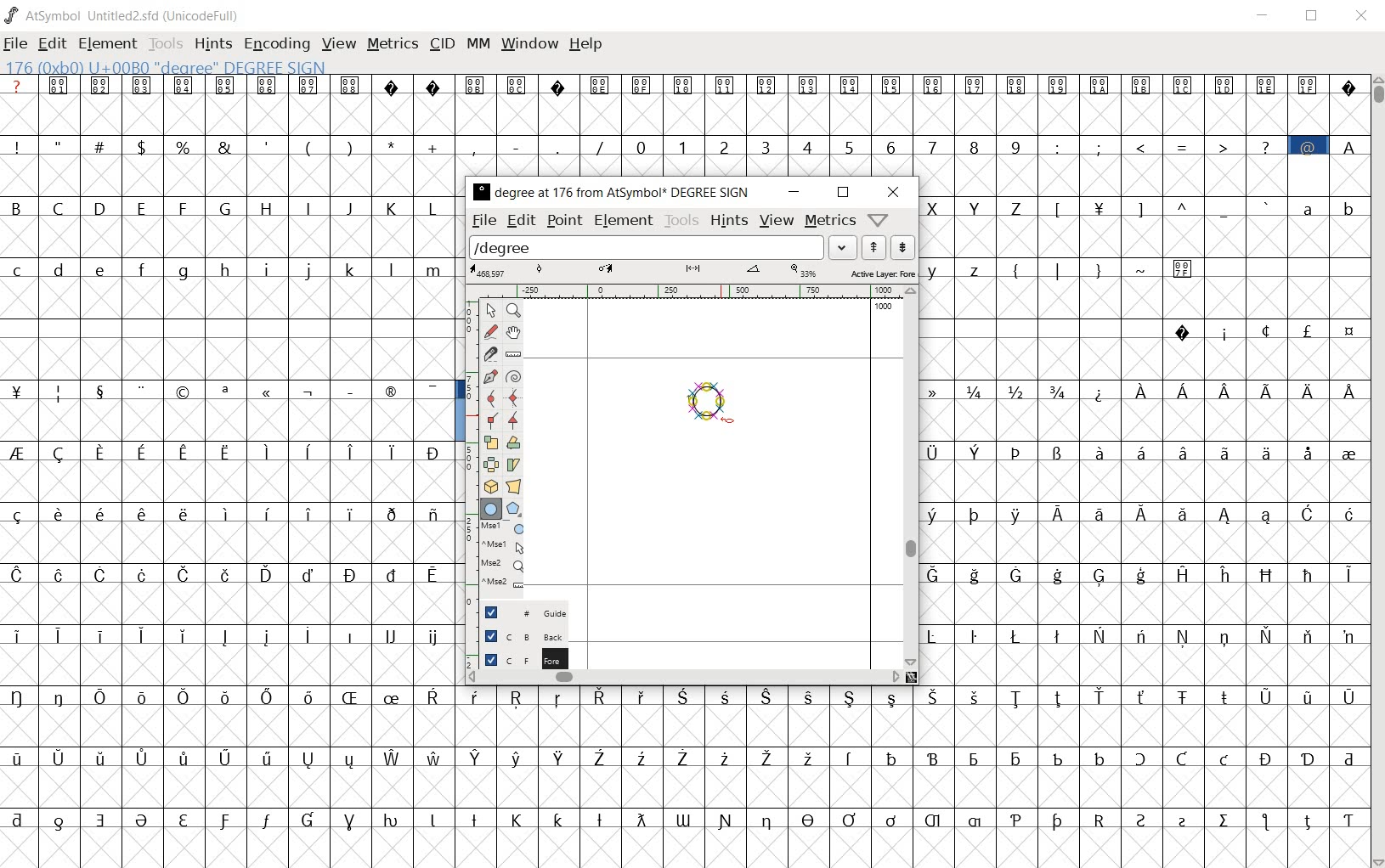 The image size is (1385, 868). I want to click on empty glyph slots, so click(1142, 237).